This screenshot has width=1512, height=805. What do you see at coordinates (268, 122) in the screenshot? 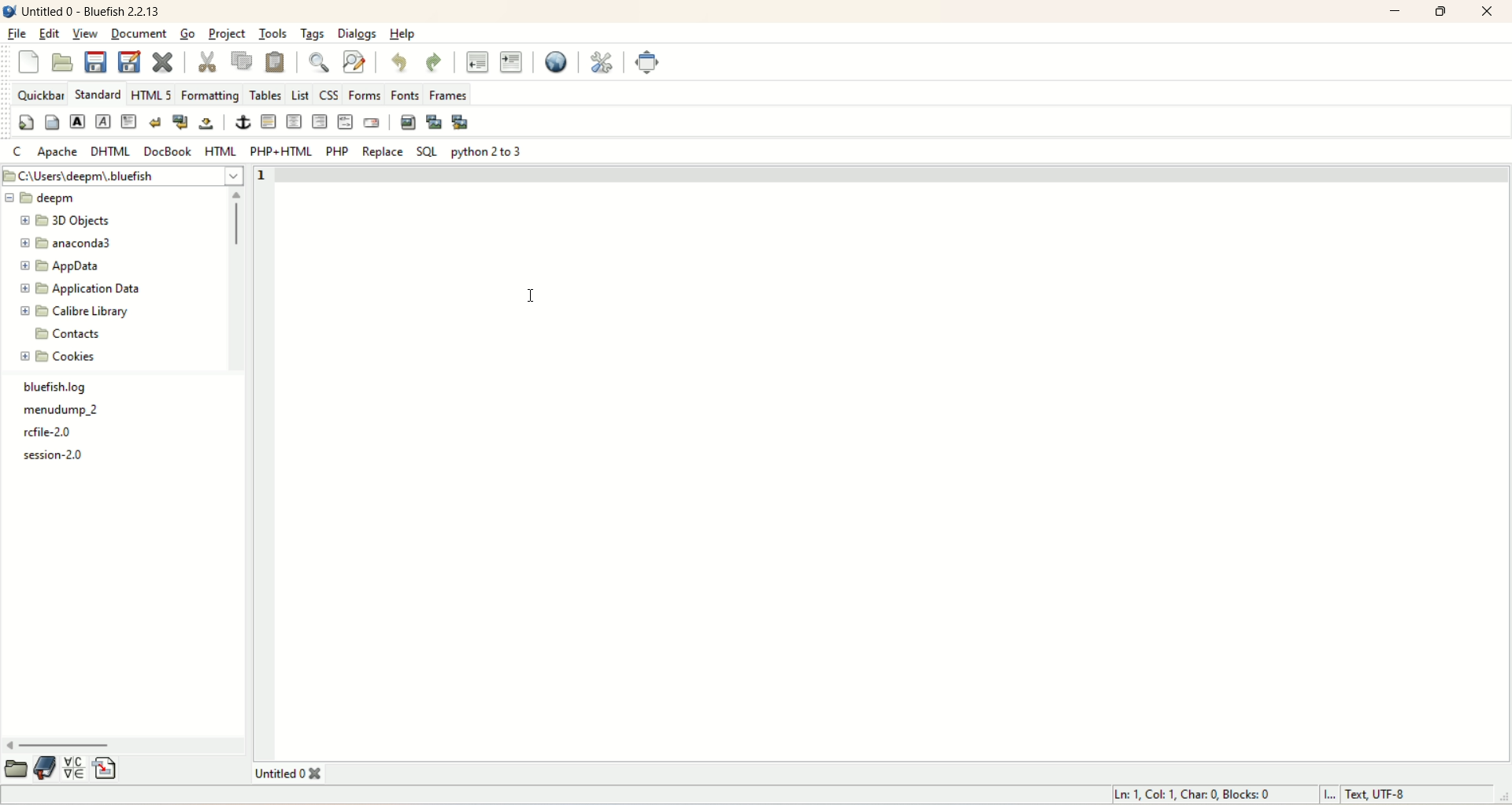
I see `horizontal rule` at bounding box center [268, 122].